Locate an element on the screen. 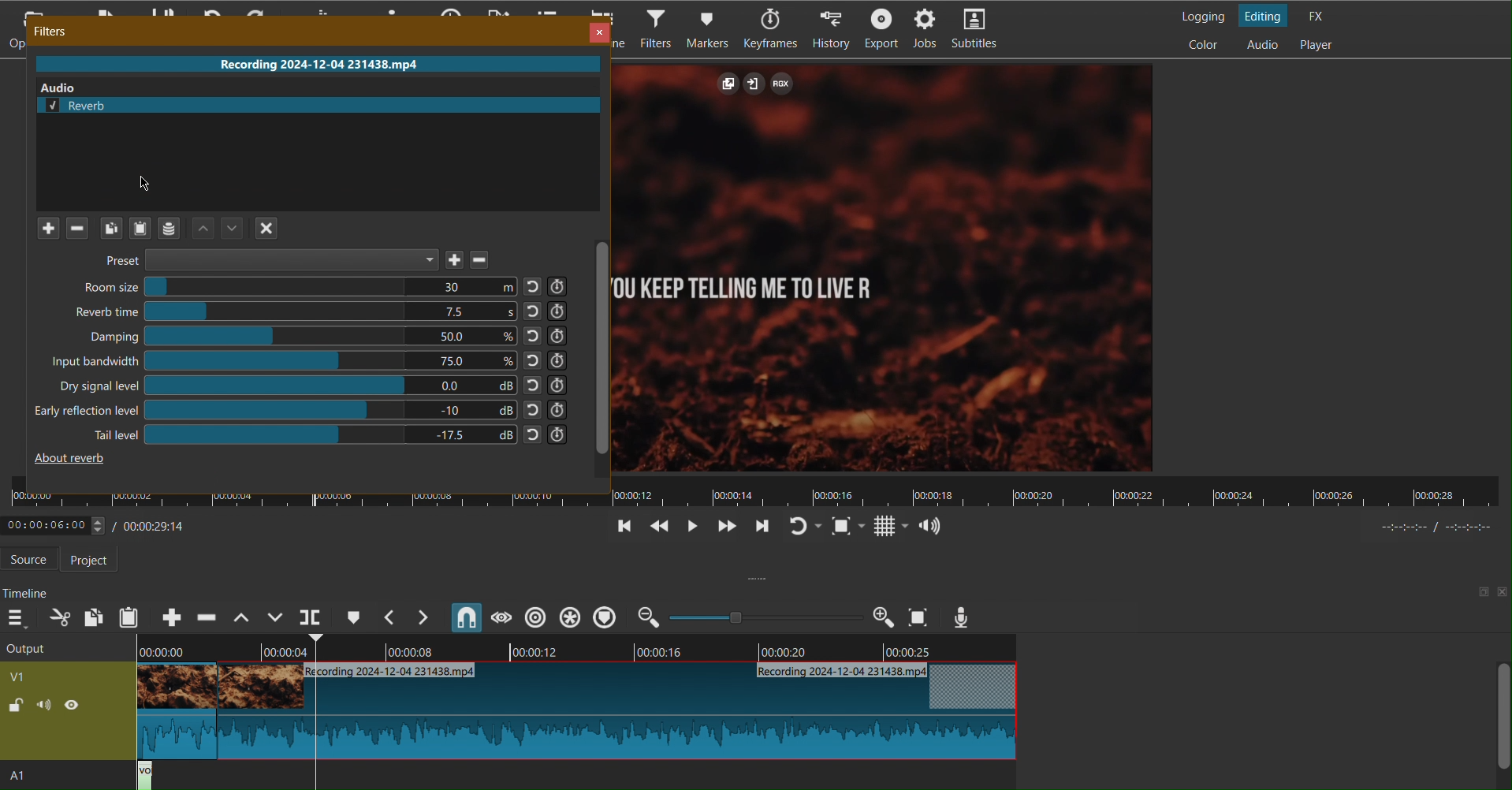 This screenshot has height=790, width=1512. Color is located at coordinates (1206, 45).